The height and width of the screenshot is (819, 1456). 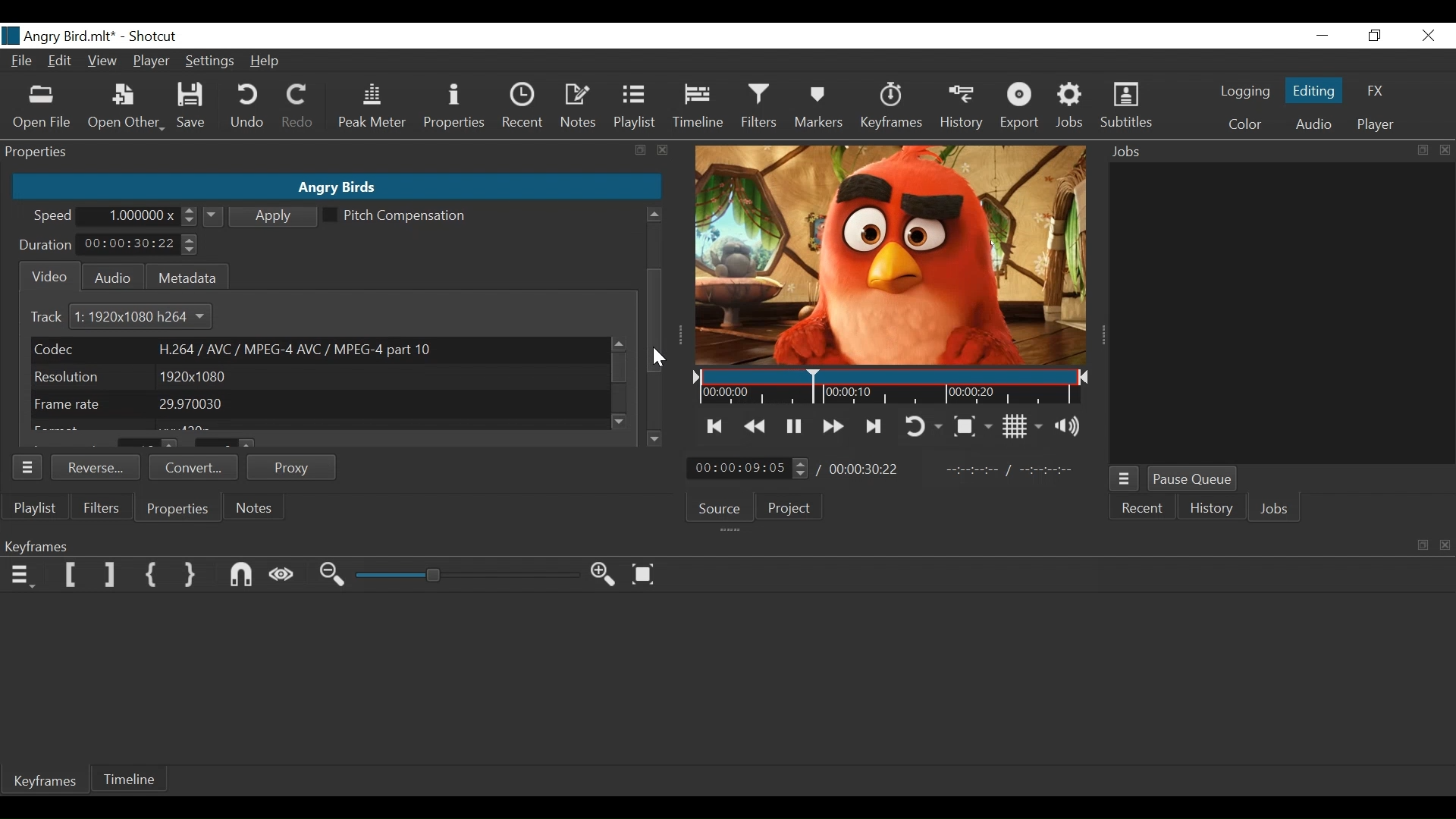 What do you see at coordinates (1378, 89) in the screenshot?
I see `FX` at bounding box center [1378, 89].